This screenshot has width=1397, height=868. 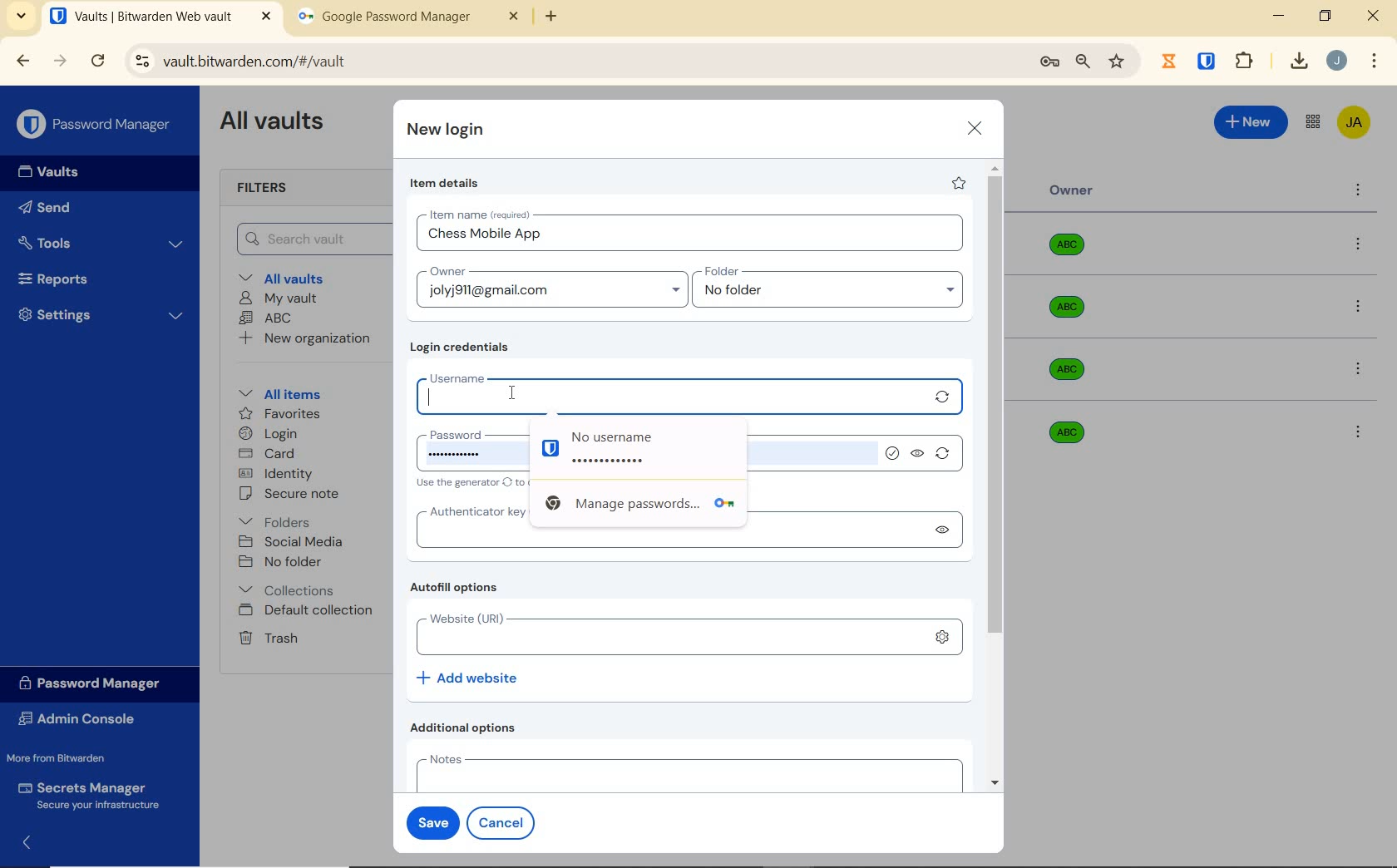 What do you see at coordinates (1073, 369) in the screenshot?
I see `Owner organization` at bounding box center [1073, 369].